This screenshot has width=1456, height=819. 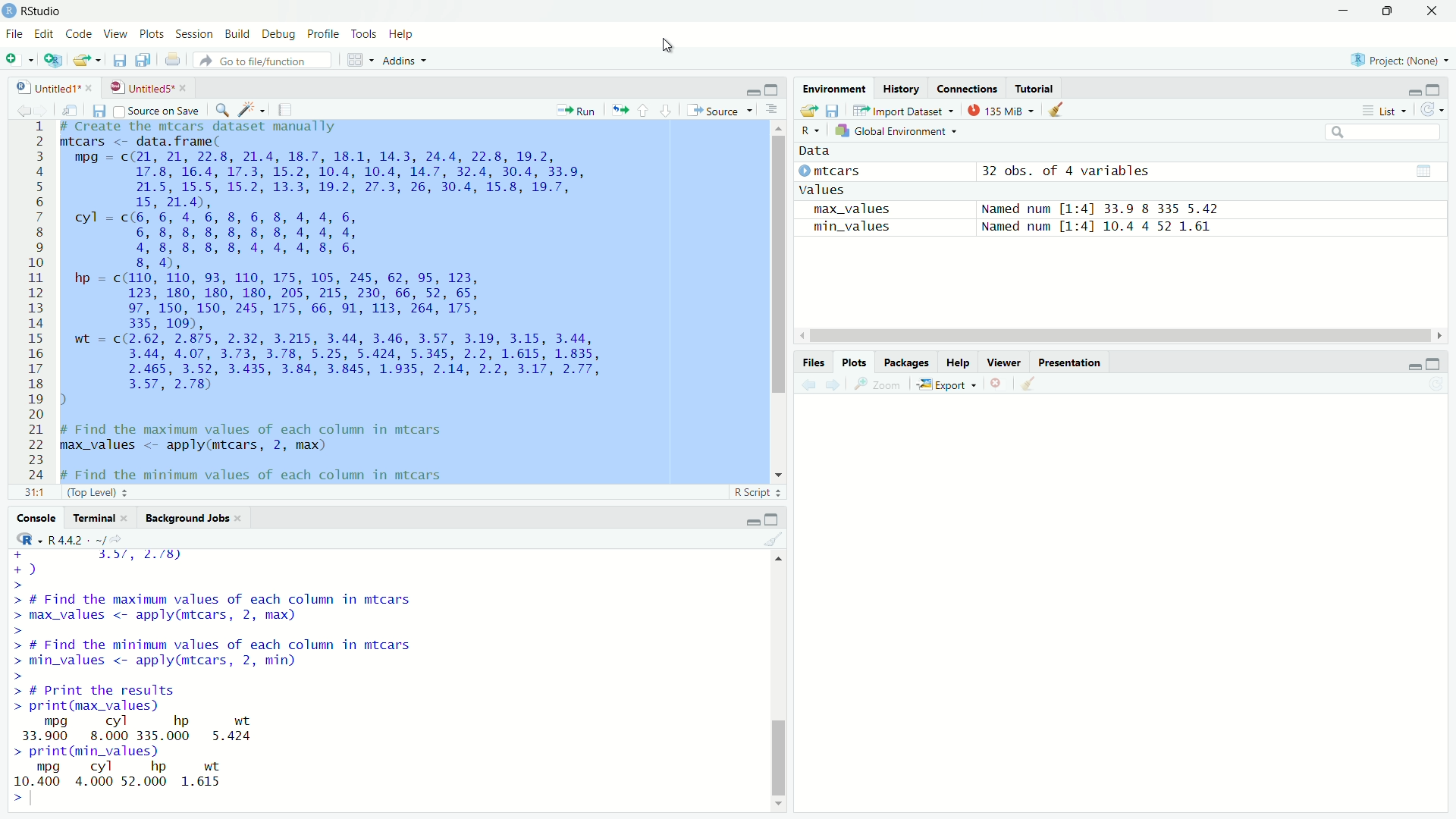 What do you see at coordinates (1435, 89) in the screenshot?
I see `maximise` at bounding box center [1435, 89].